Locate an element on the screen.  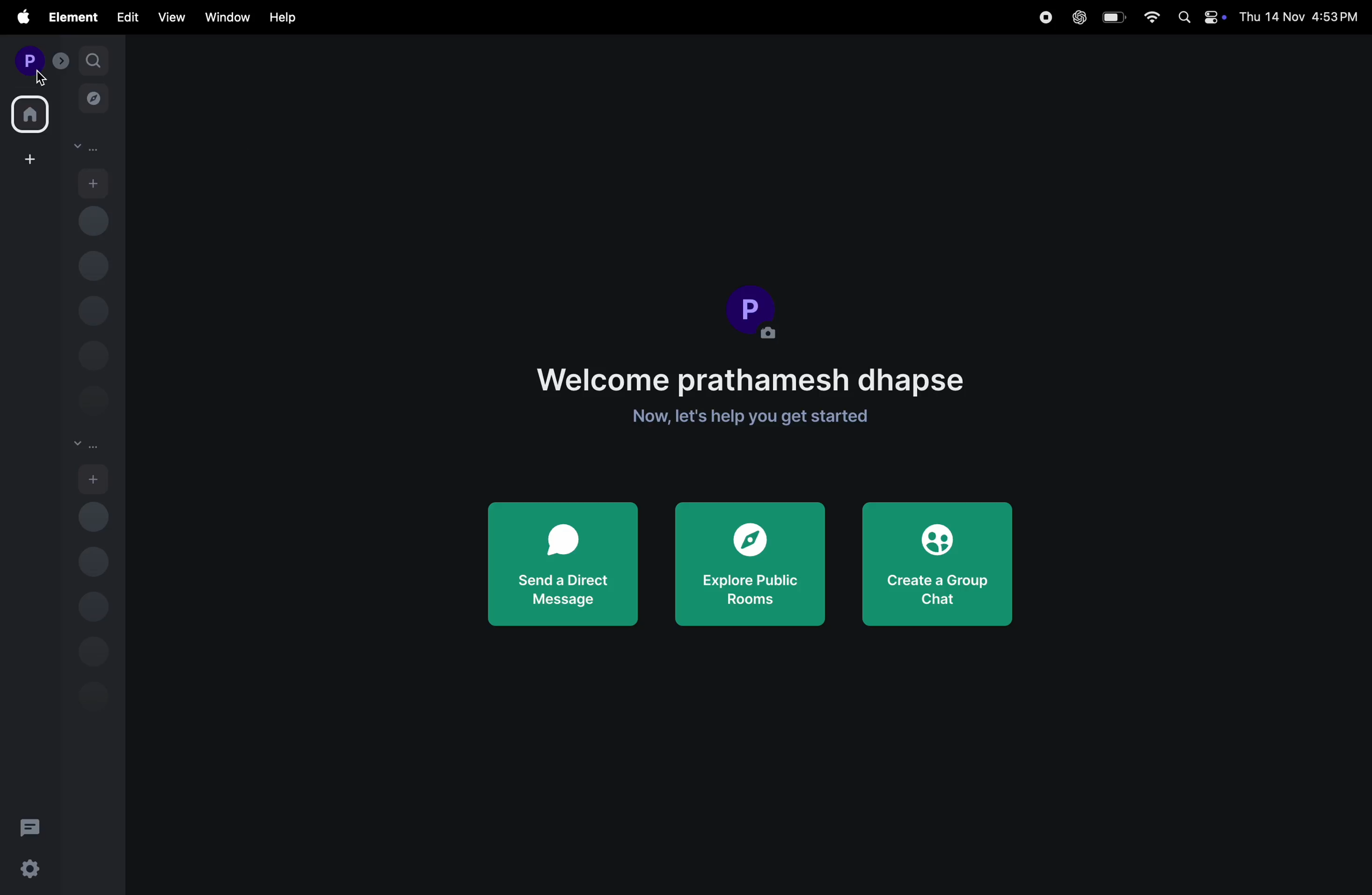
send direct message is located at coordinates (561, 565).